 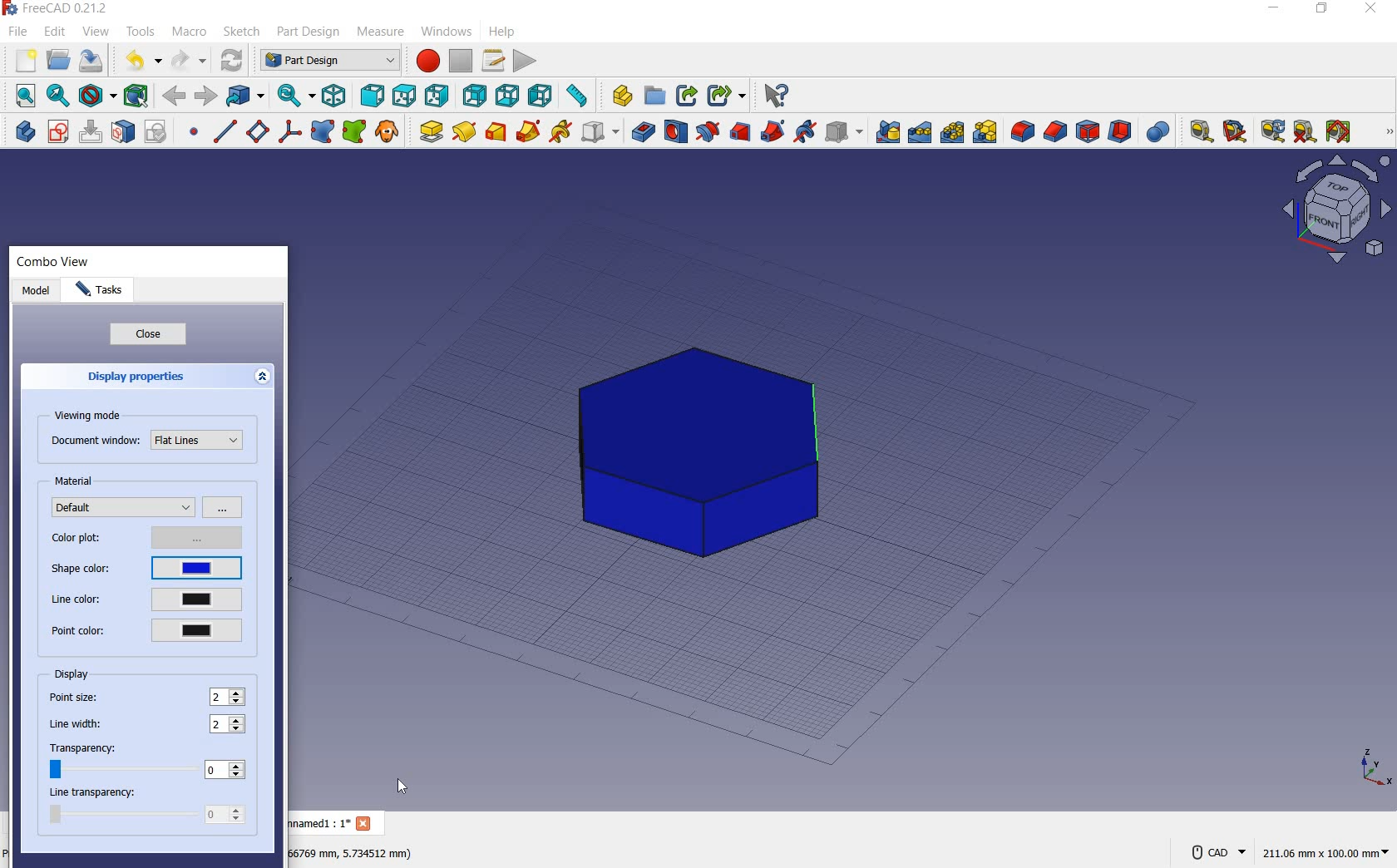 I want to click on edit sketch, so click(x=92, y=131).